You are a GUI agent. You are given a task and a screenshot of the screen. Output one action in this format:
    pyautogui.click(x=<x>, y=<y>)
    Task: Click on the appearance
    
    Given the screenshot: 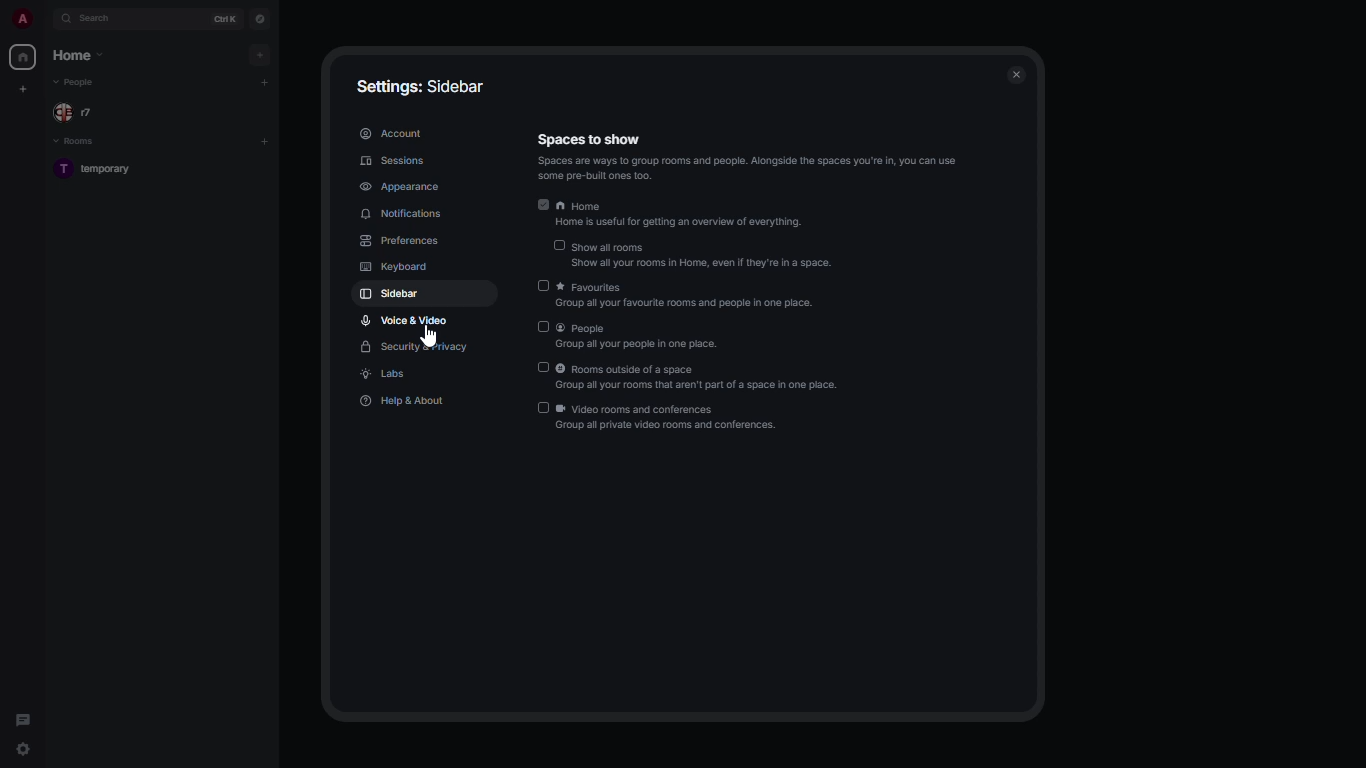 What is the action you would take?
    pyautogui.click(x=400, y=185)
    